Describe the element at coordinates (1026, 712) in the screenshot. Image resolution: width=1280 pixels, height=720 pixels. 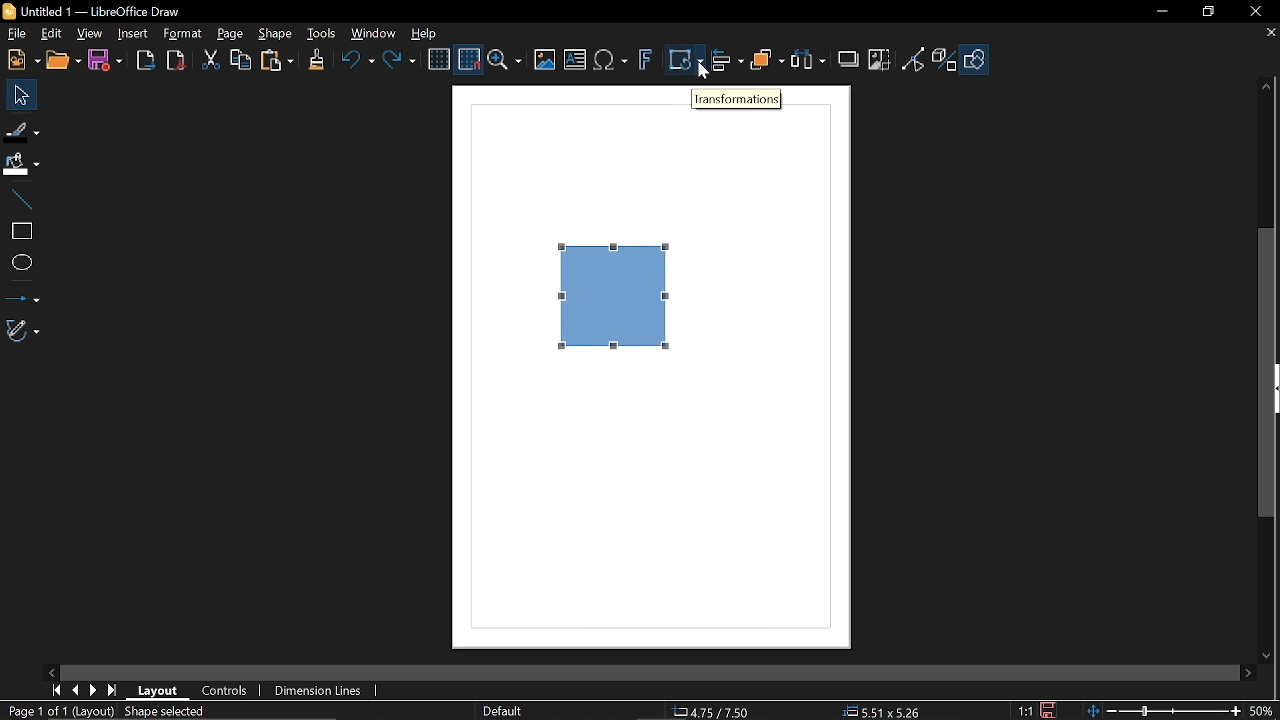
I see `1:1 (Scaling factor)` at that location.